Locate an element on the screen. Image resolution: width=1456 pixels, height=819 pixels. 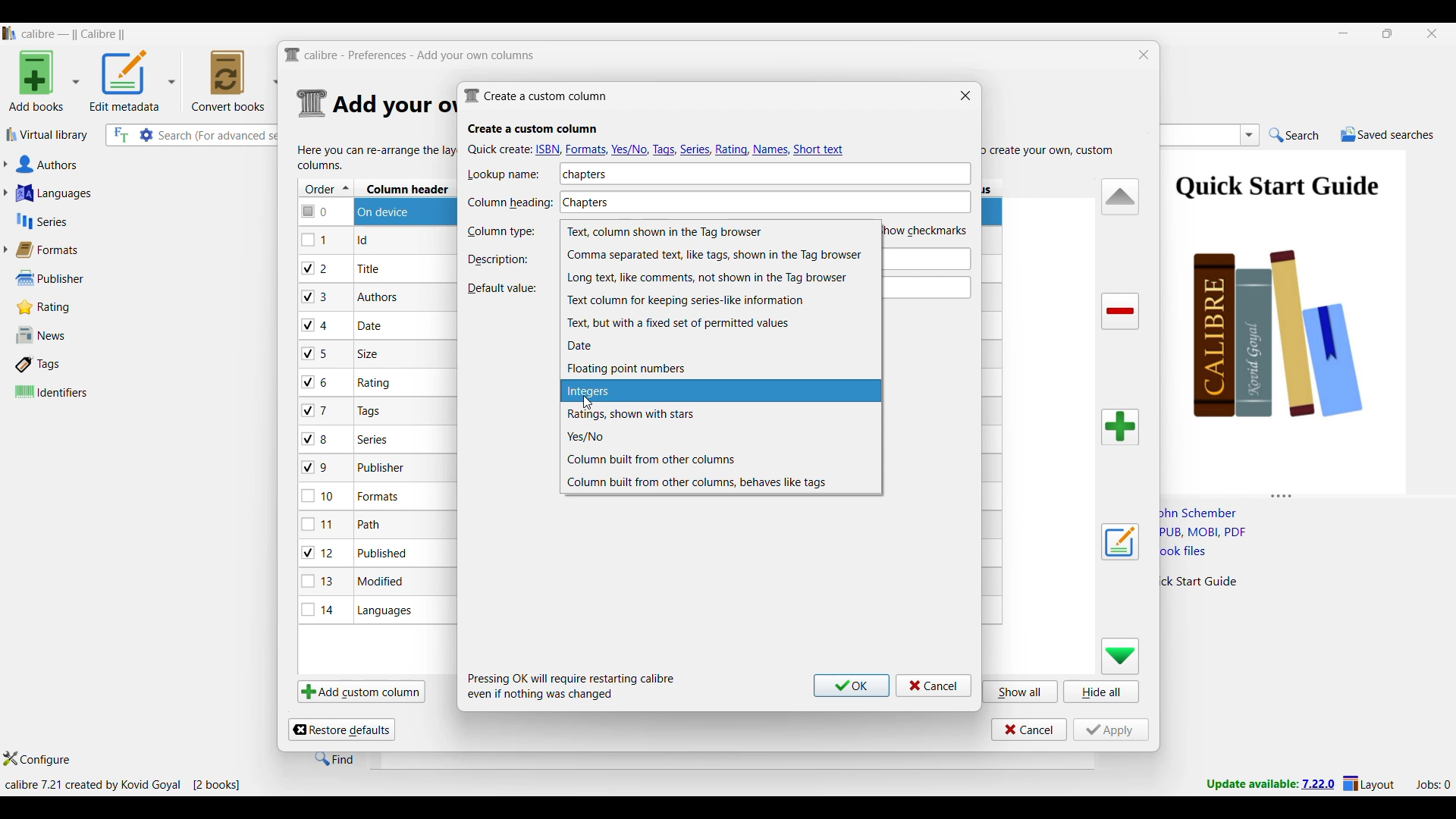
checkbox - 2 is located at coordinates (315, 268).